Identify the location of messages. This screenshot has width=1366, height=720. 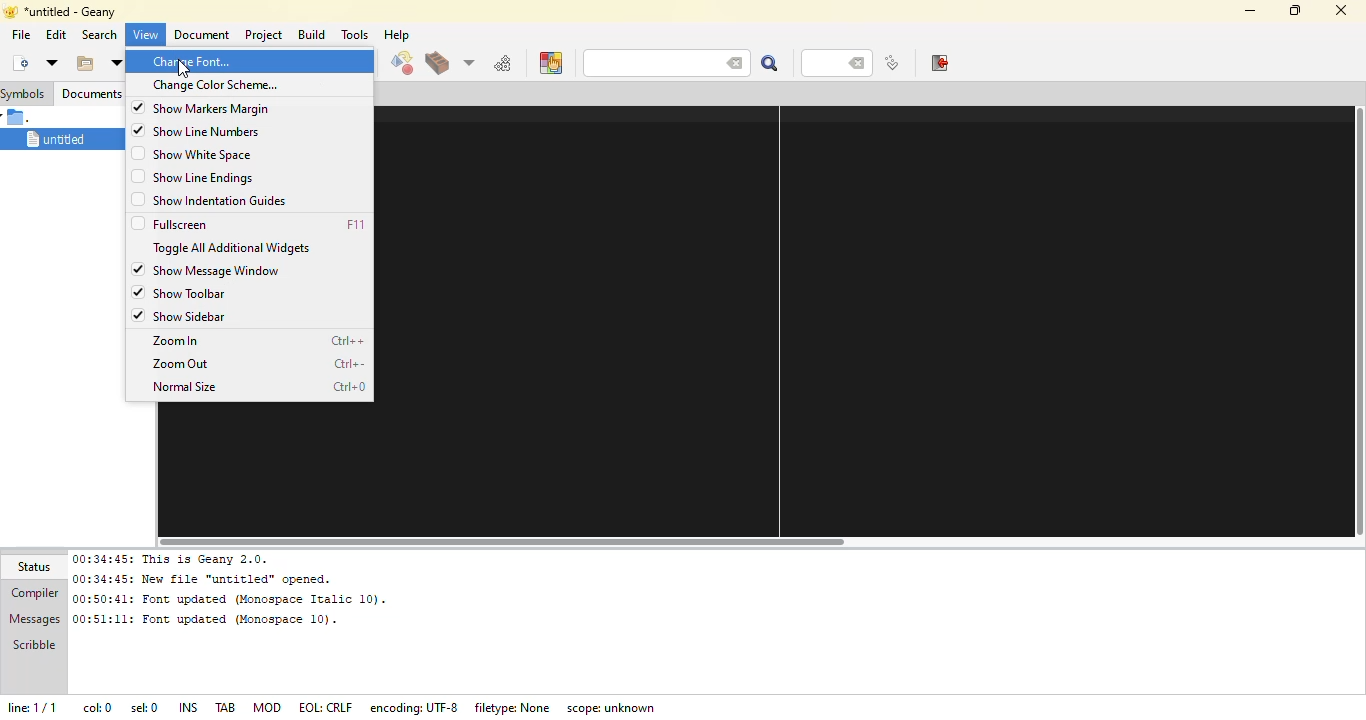
(34, 620).